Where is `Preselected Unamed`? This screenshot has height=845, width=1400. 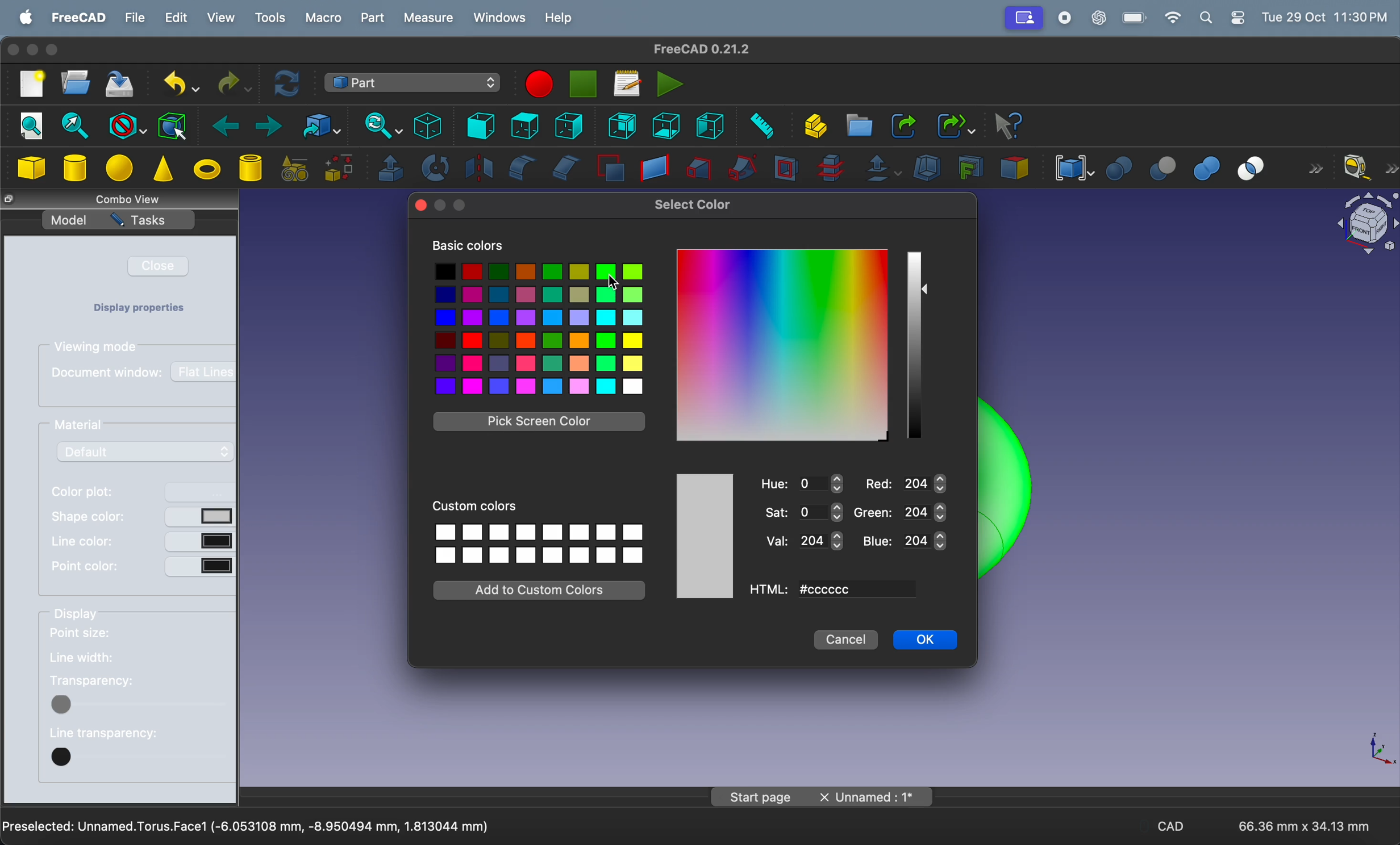 Preselected Unamed is located at coordinates (248, 827).